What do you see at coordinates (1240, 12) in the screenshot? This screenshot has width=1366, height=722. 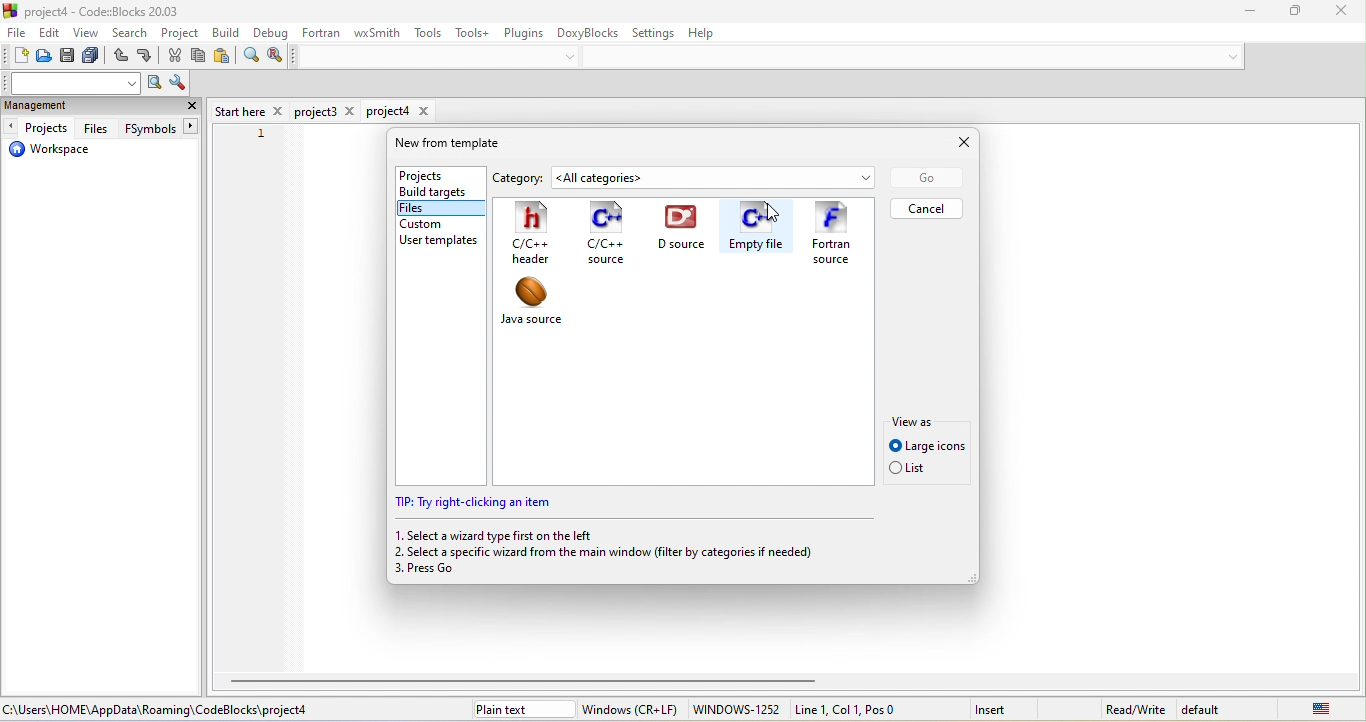 I see `minimize` at bounding box center [1240, 12].